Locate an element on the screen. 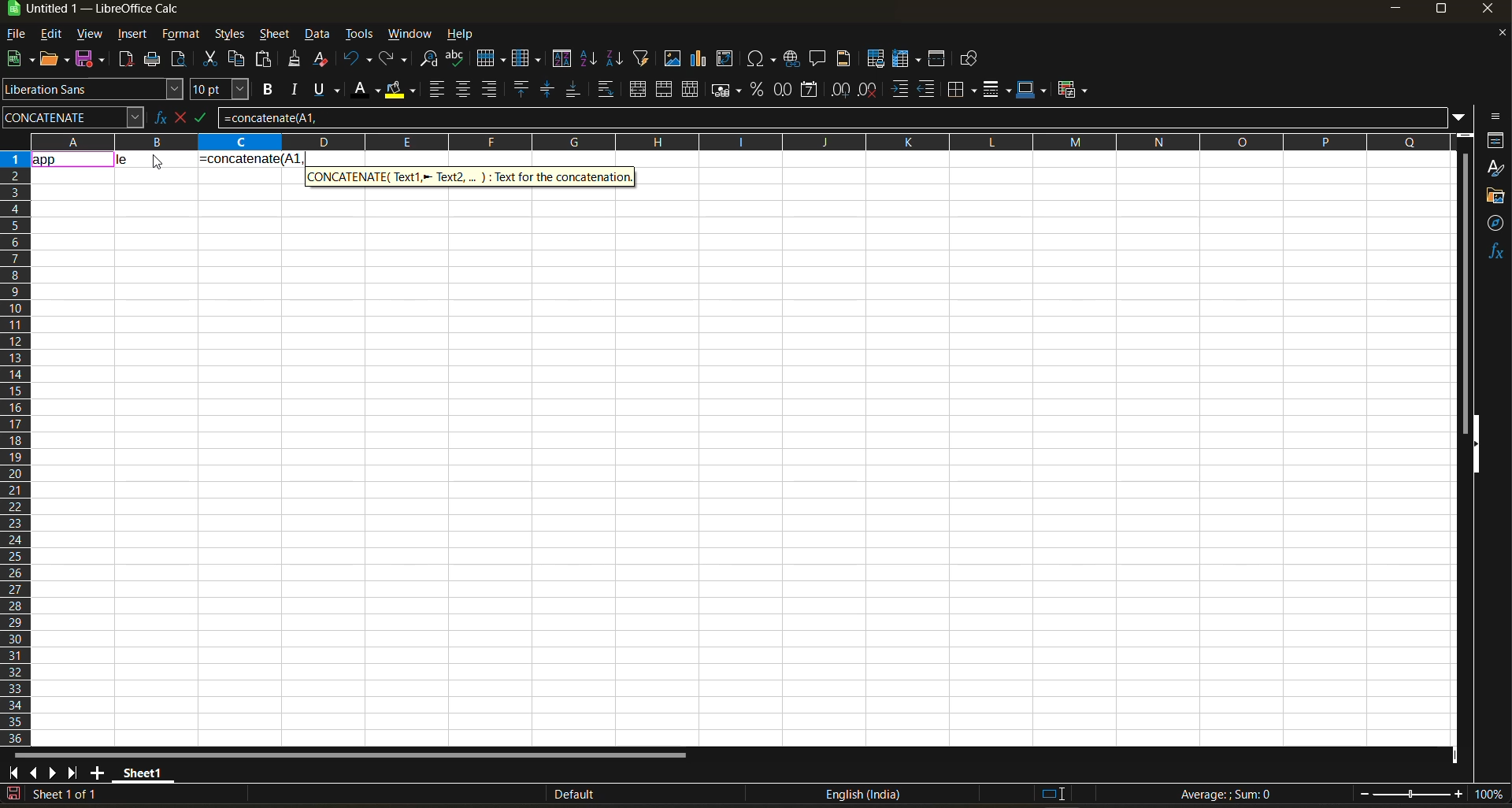  =concatenate(A1, is located at coordinates (832, 117).